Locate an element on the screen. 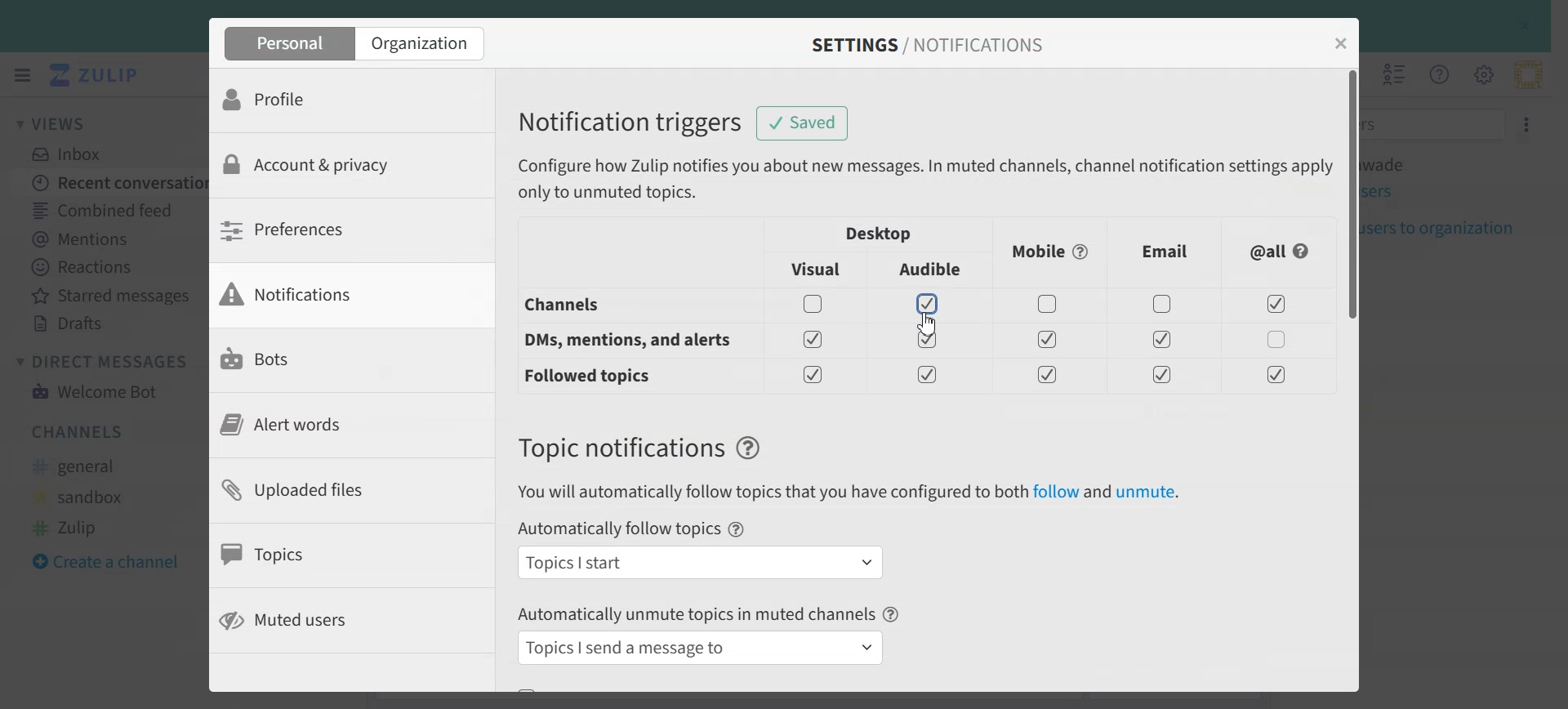  Audible is located at coordinates (932, 270).